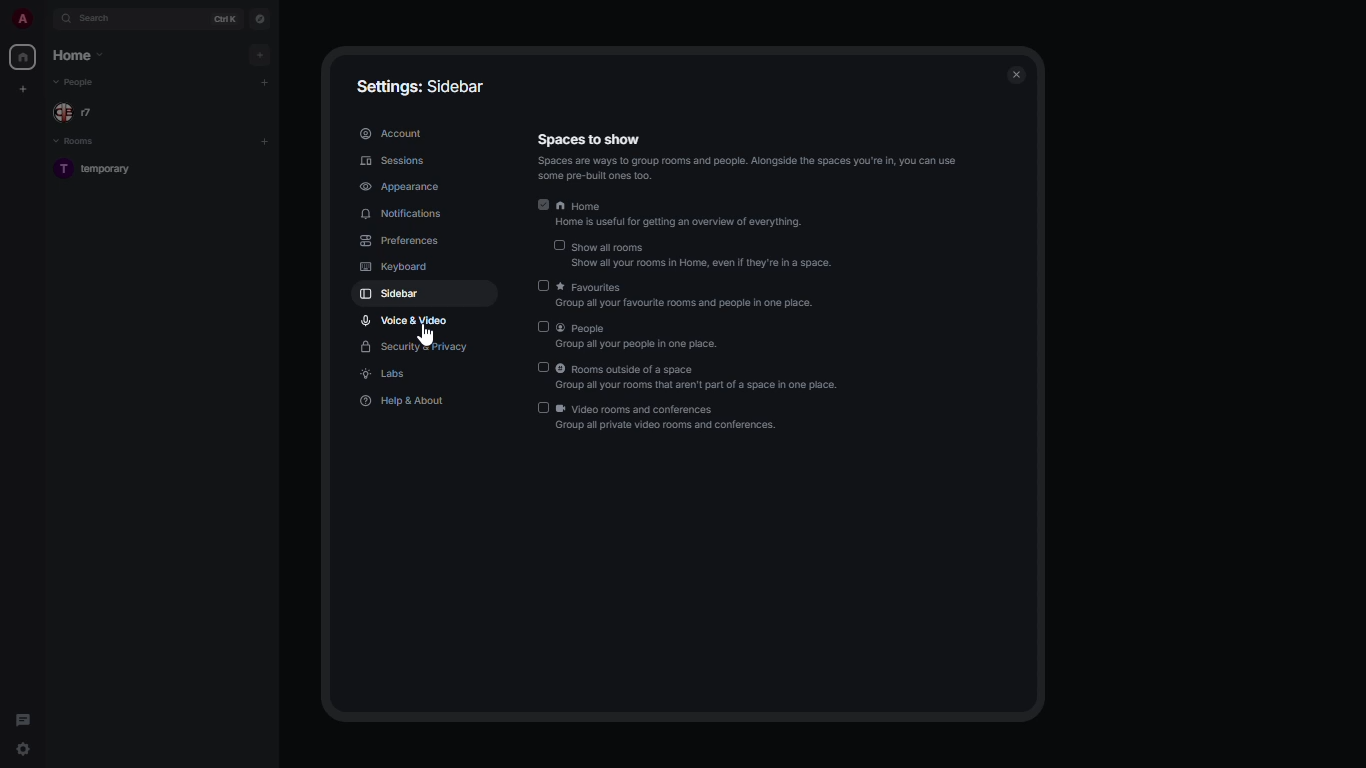 The width and height of the screenshot is (1366, 768). I want to click on add, so click(267, 141).